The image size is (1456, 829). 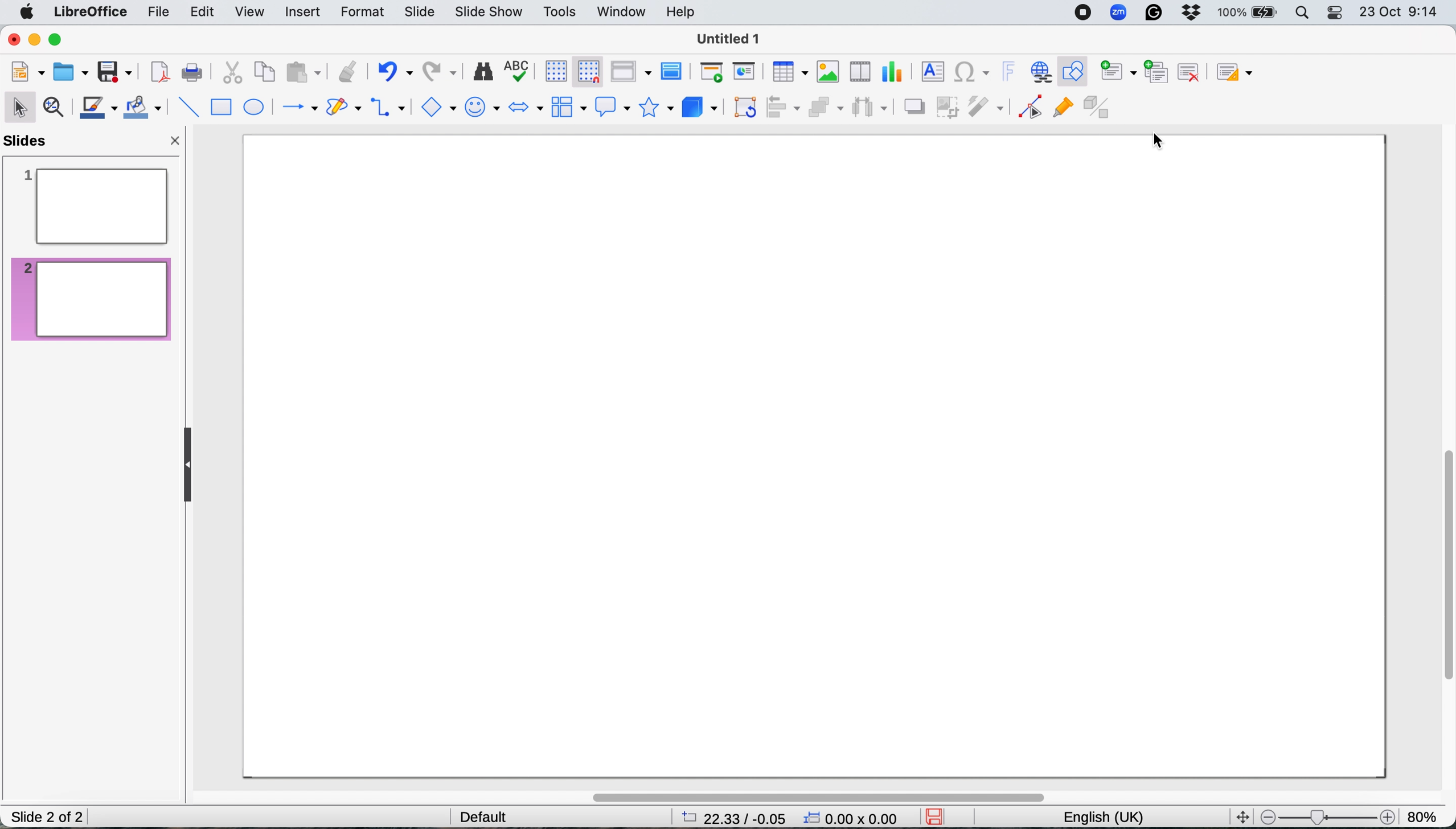 What do you see at coordinates (392, 107) in the screenshot?
I see `connectors` at bounding box center [392, 107].